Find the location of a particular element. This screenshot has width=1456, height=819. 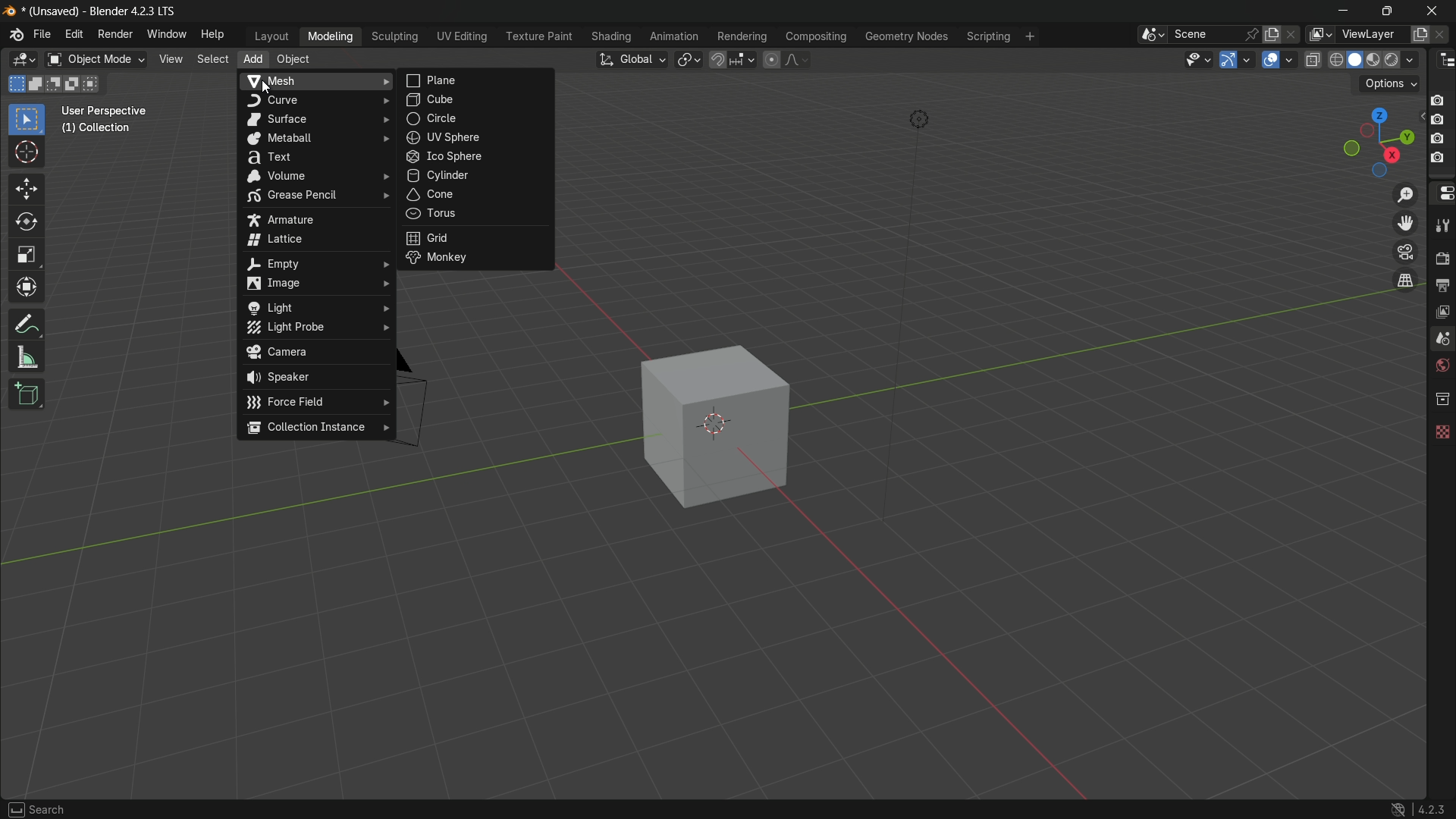

properties is located at coordinates (1442, 192).